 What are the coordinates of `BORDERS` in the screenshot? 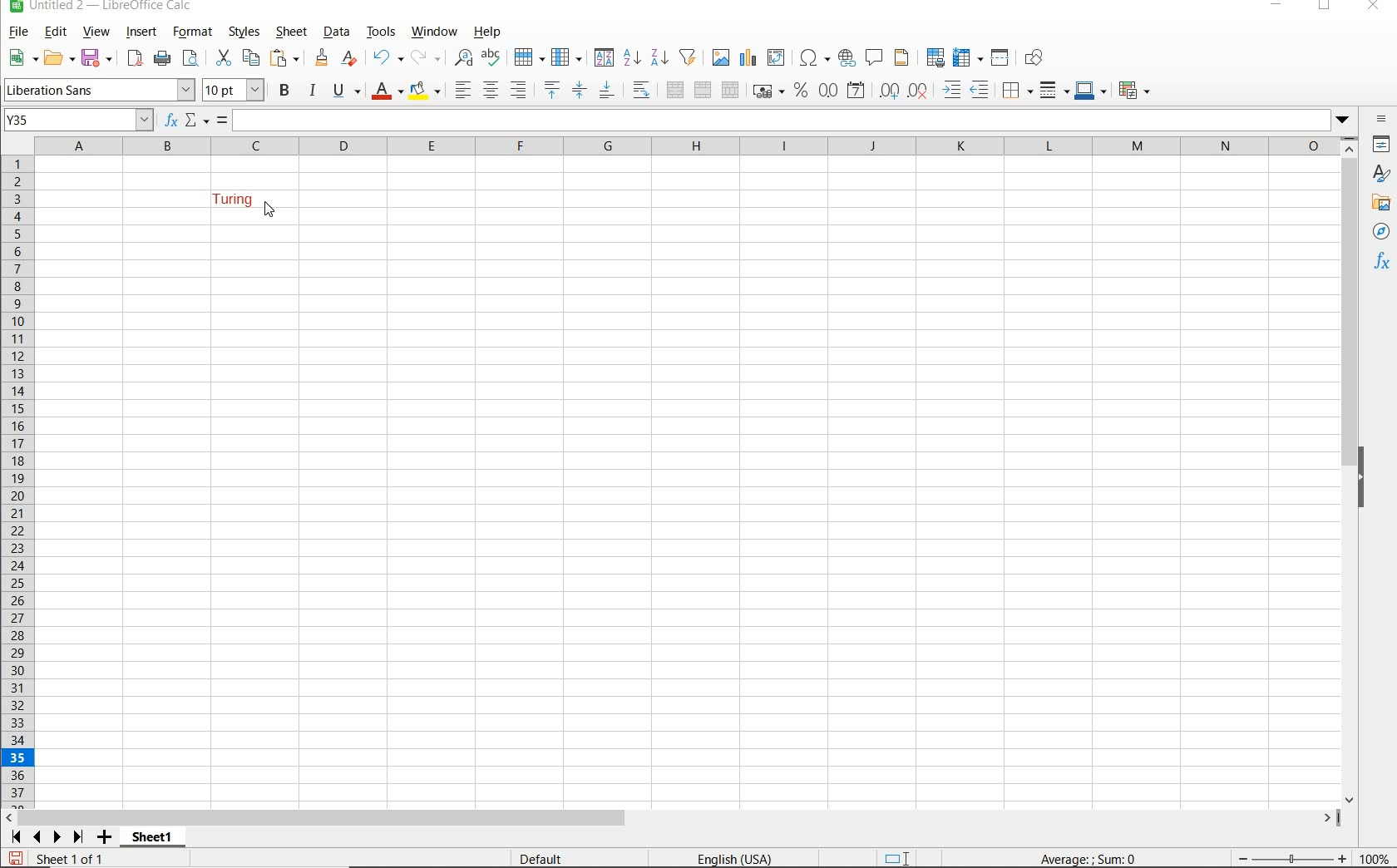 It's located at (1017, 91).